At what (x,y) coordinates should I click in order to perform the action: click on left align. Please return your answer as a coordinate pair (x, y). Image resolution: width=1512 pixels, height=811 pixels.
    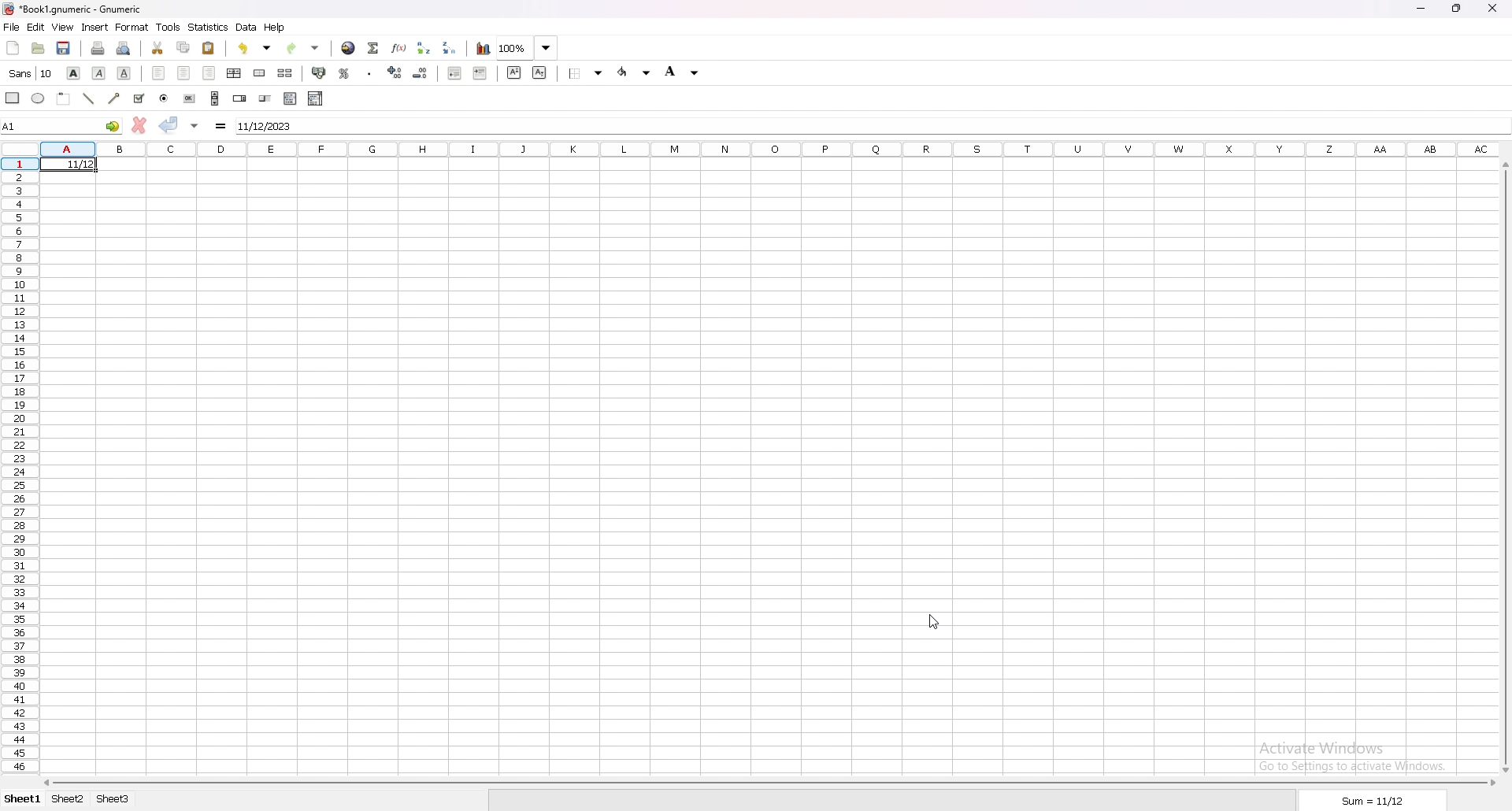
    Looking at the image, I should click on (158, 72).